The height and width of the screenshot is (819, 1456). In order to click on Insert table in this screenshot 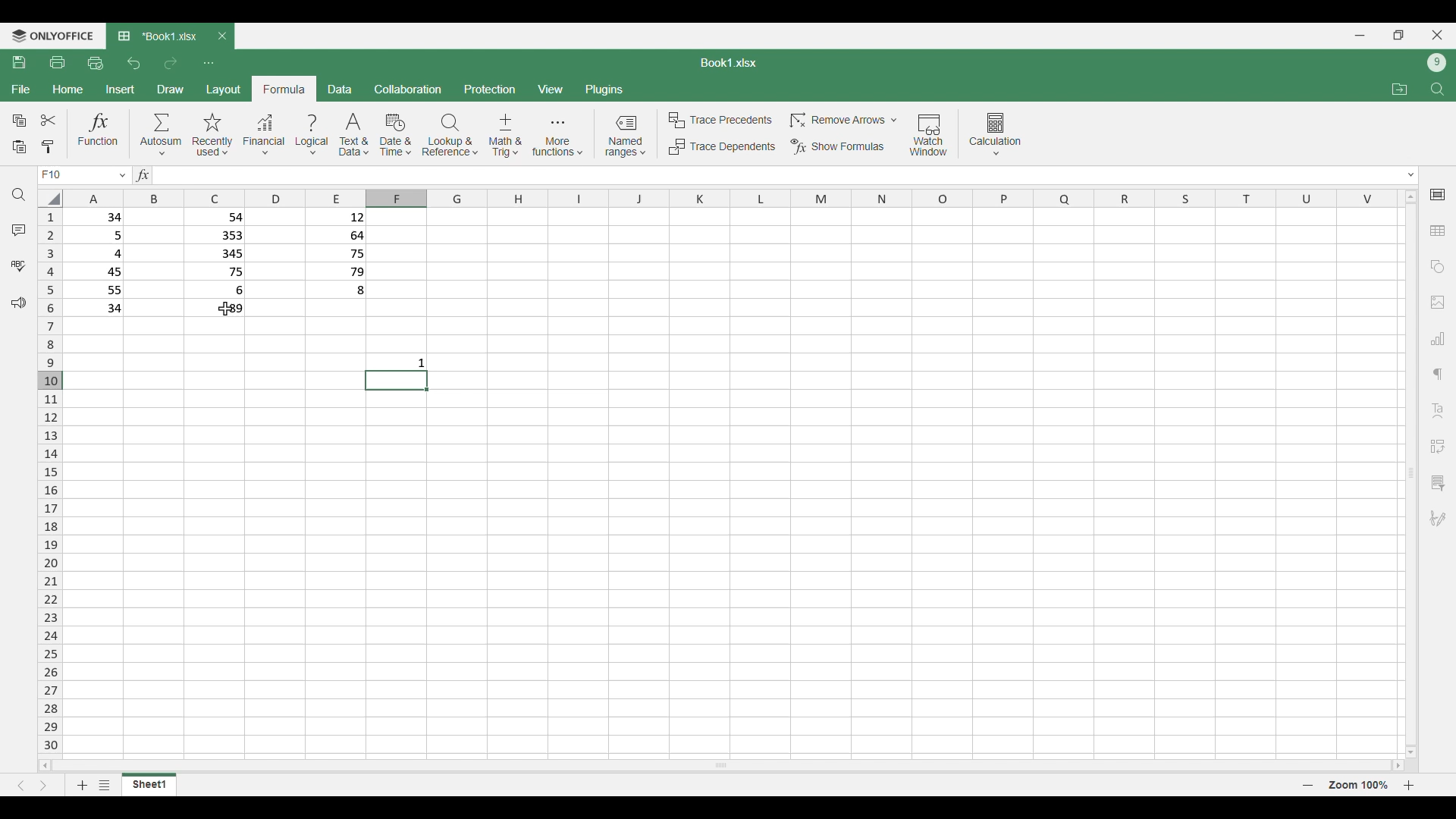, I will do `click(1438, 231)`.